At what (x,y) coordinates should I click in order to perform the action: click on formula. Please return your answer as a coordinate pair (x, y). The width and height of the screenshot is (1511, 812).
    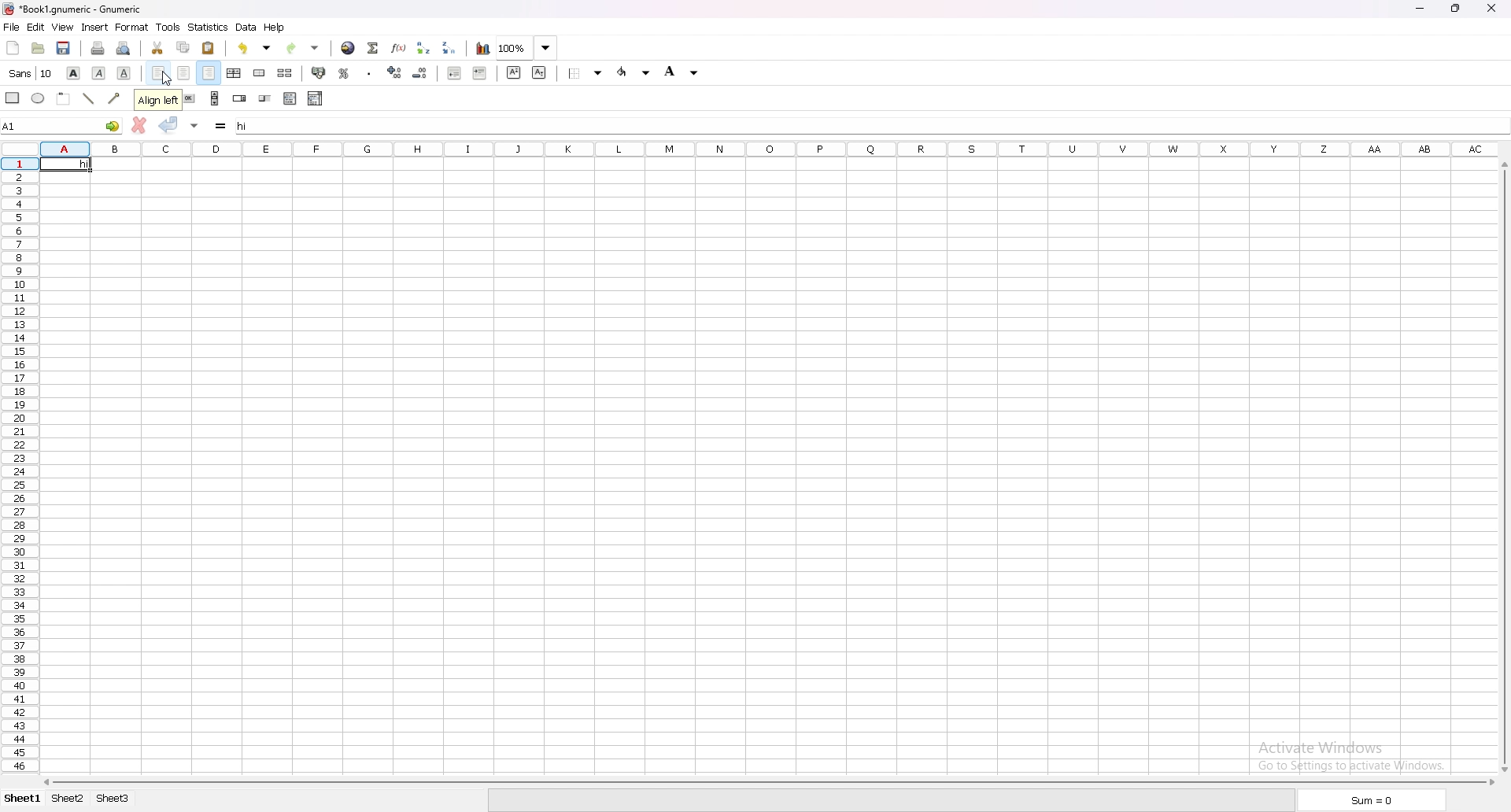
    Looking at the image, I should click on (223, 127).